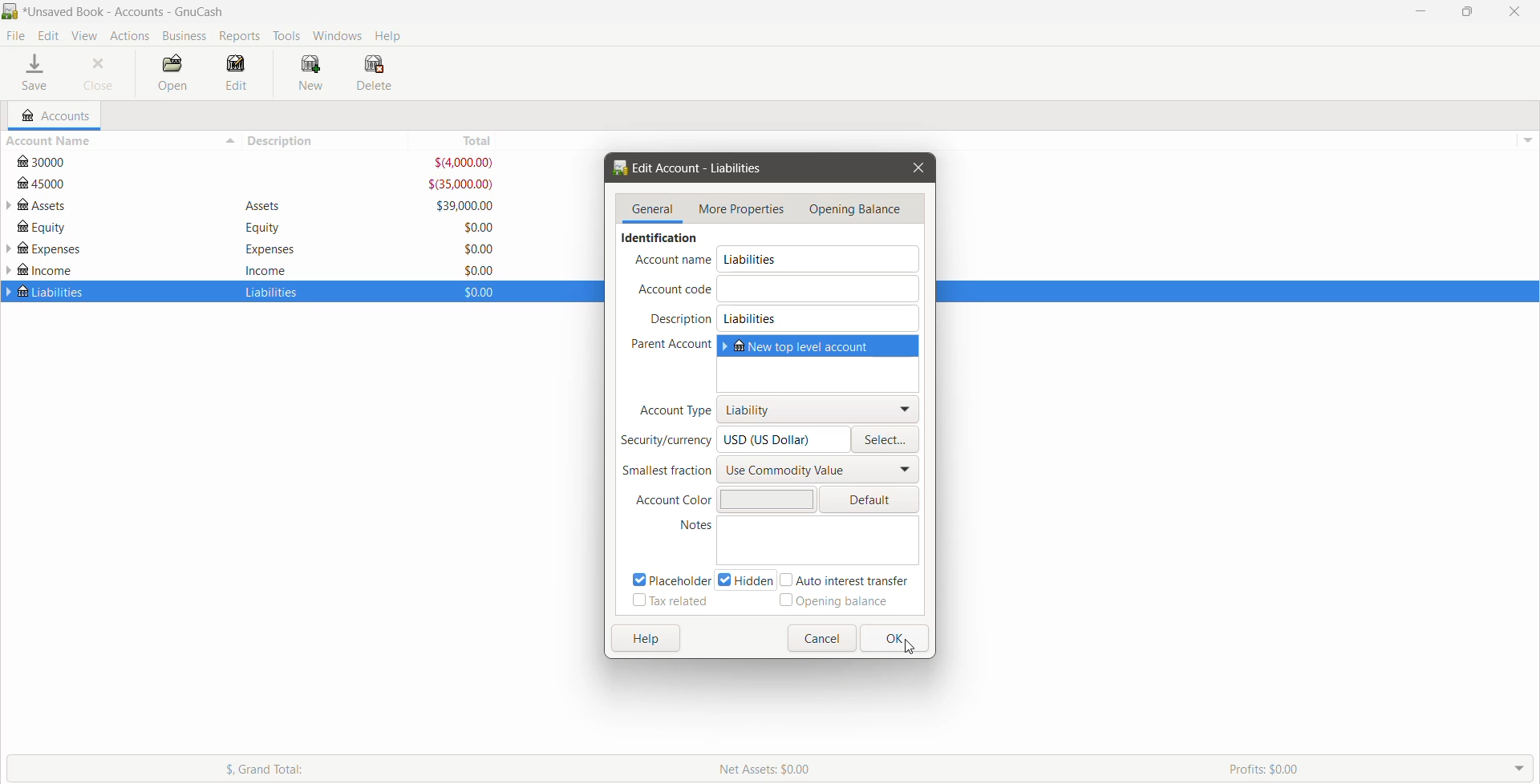 The width and height of the screenshot is (1540, 784). What do you see at coordinates (184, 36) in the screenshot?
I see `Business` at bounding box center [184, 36].